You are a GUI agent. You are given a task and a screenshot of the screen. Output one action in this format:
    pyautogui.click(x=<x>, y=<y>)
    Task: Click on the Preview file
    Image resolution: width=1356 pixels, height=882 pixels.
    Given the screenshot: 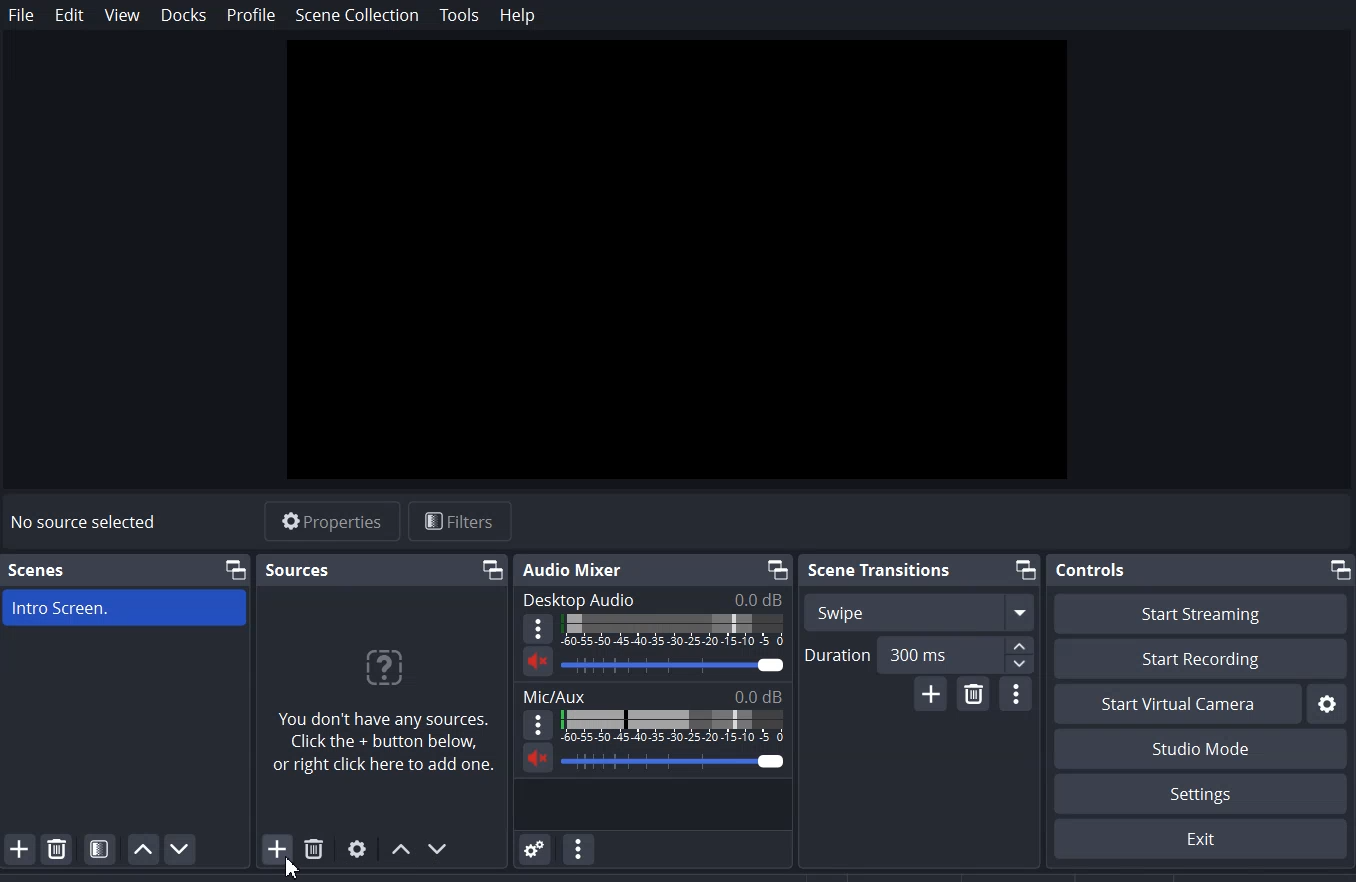 What is the action you would take?
    pyautogui.click(x=676, y=260)
    